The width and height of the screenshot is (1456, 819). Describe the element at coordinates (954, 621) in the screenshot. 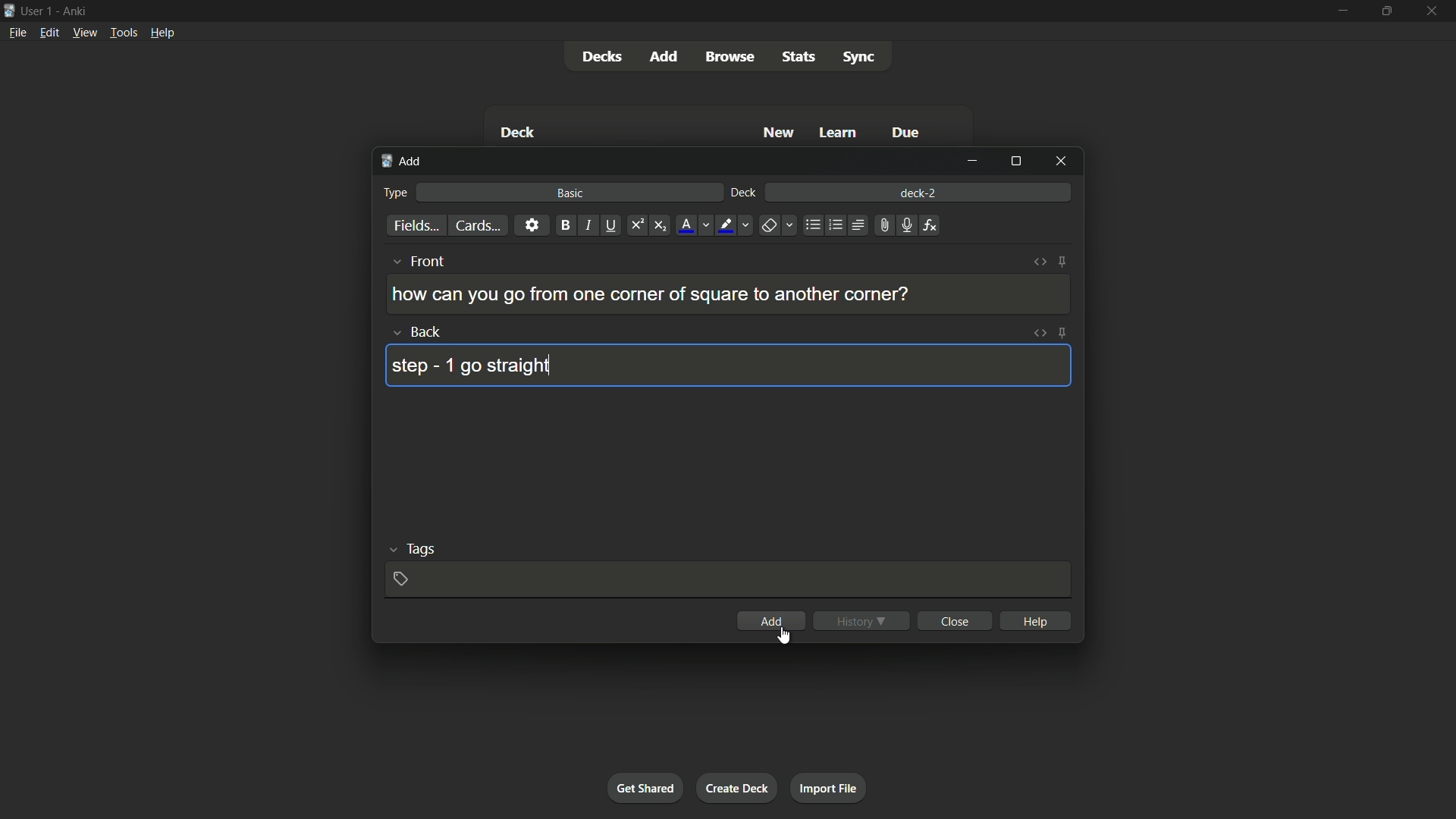

I see `close` at that location.